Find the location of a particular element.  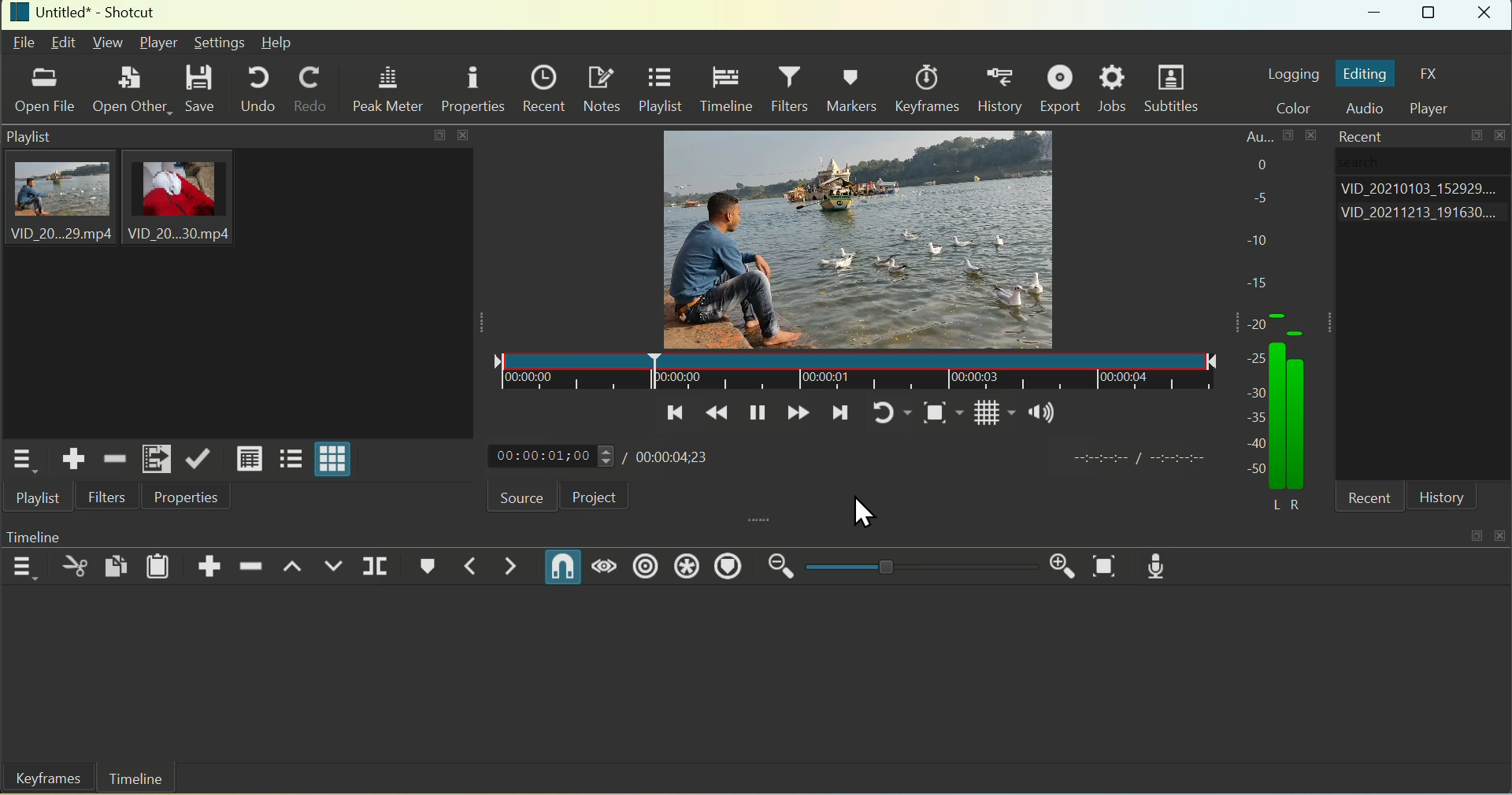

close is located at coordinates (1503, 136).